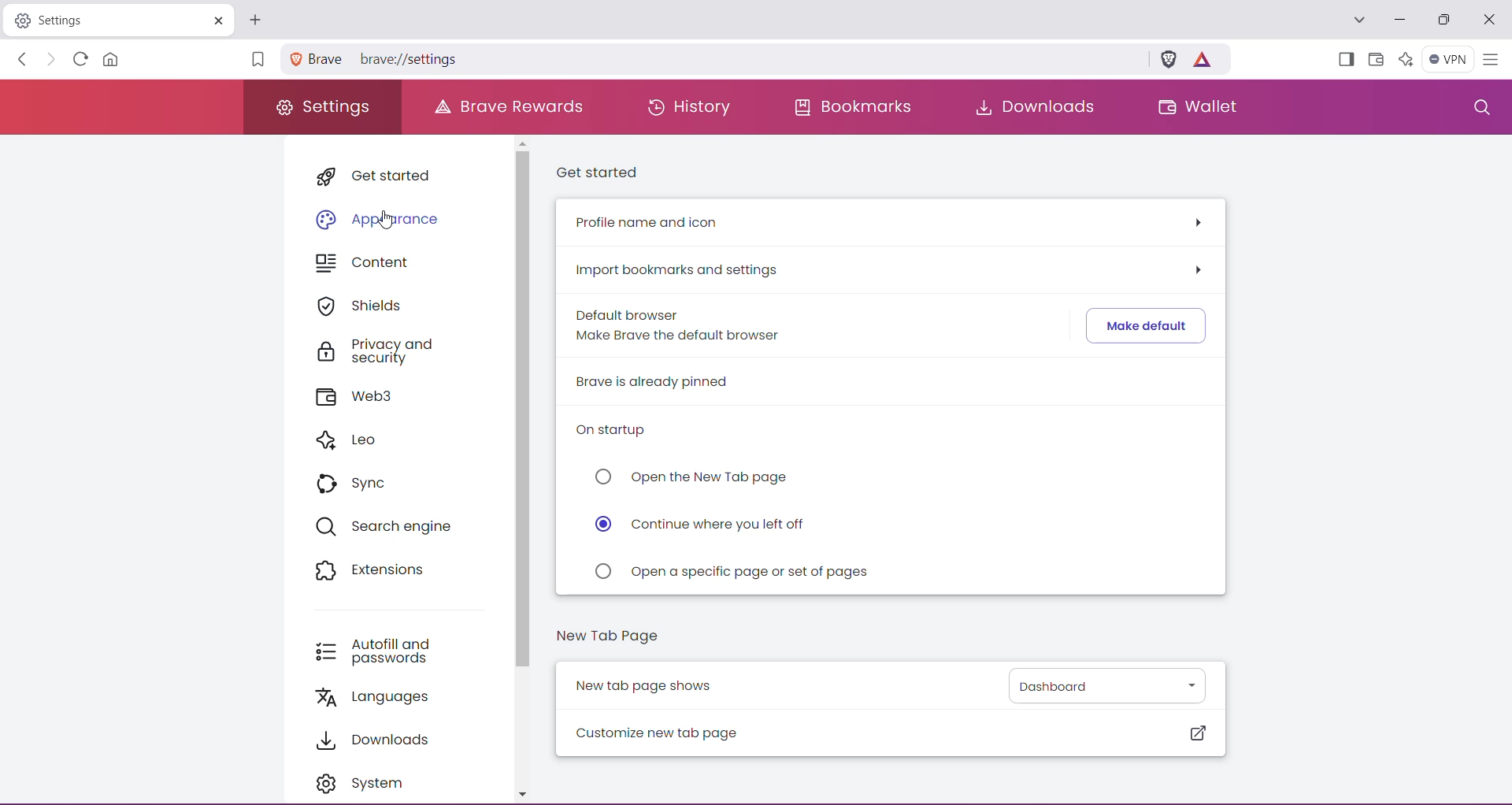 The image size is (1512, 805). I want to click on Get started, so click(598, 174).